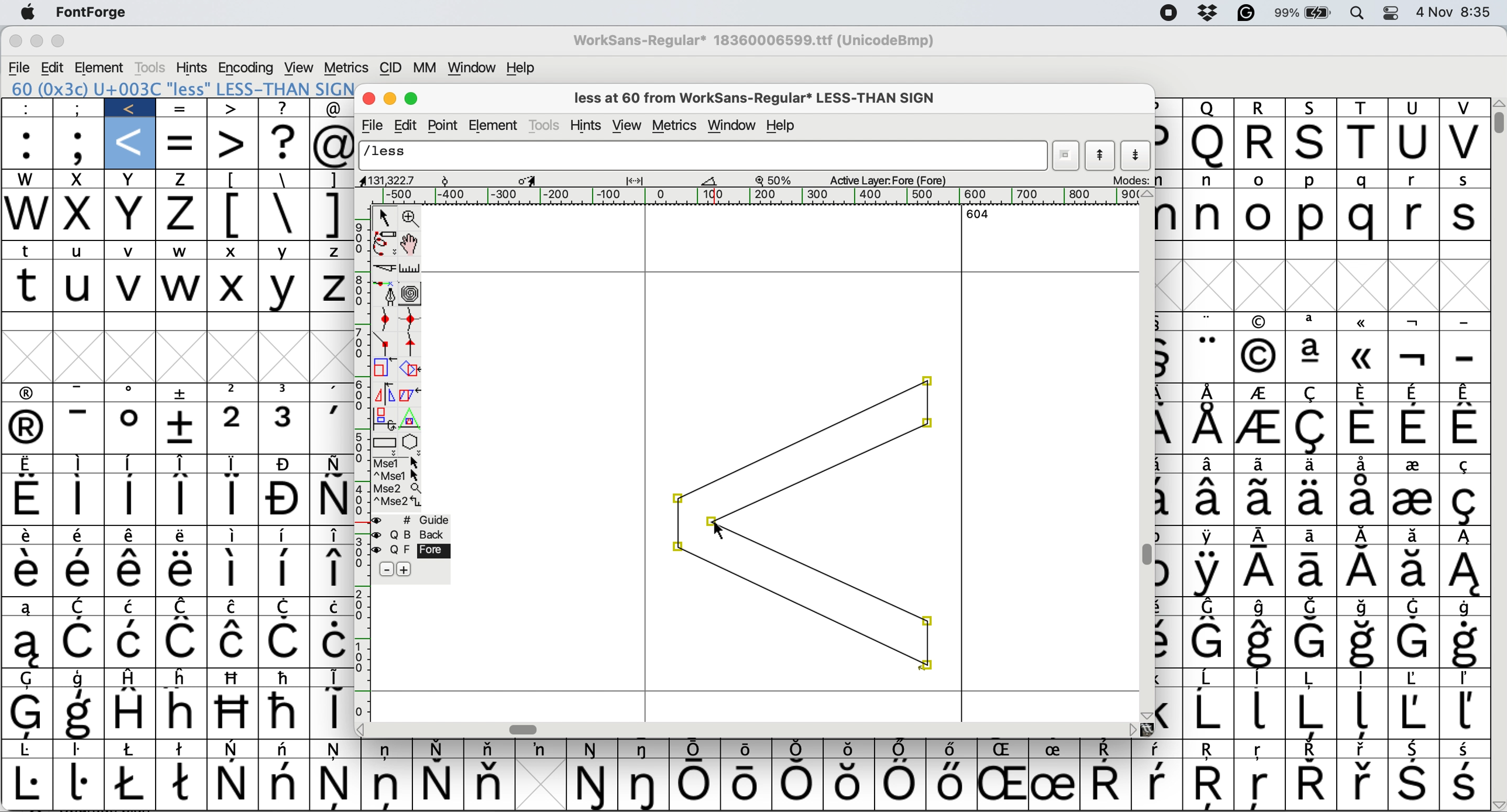  Describe the element at coordinates (1467, 216) in the screenshot. I see `s` at that location.